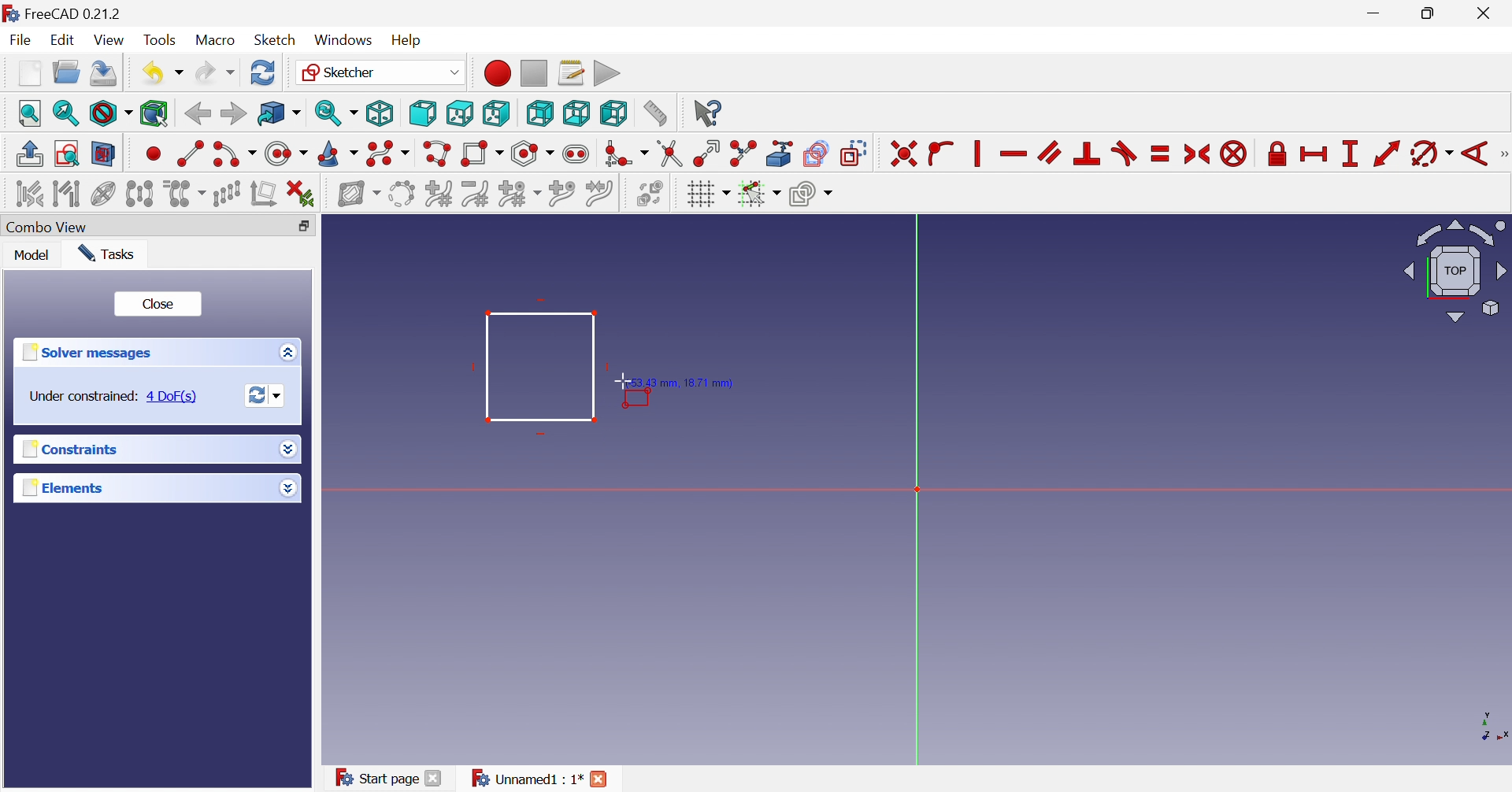  I want to click on , so click(301, 194).